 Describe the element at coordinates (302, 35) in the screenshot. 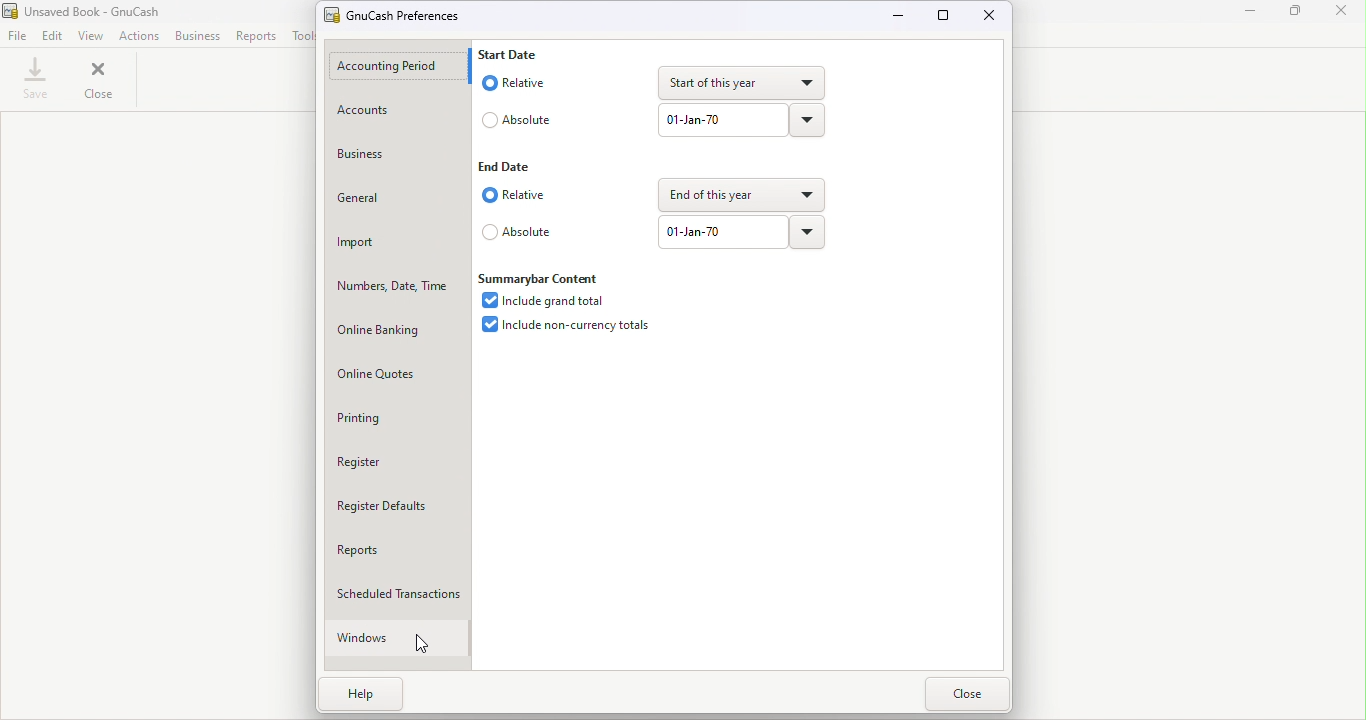

I see `Tools` at that location.